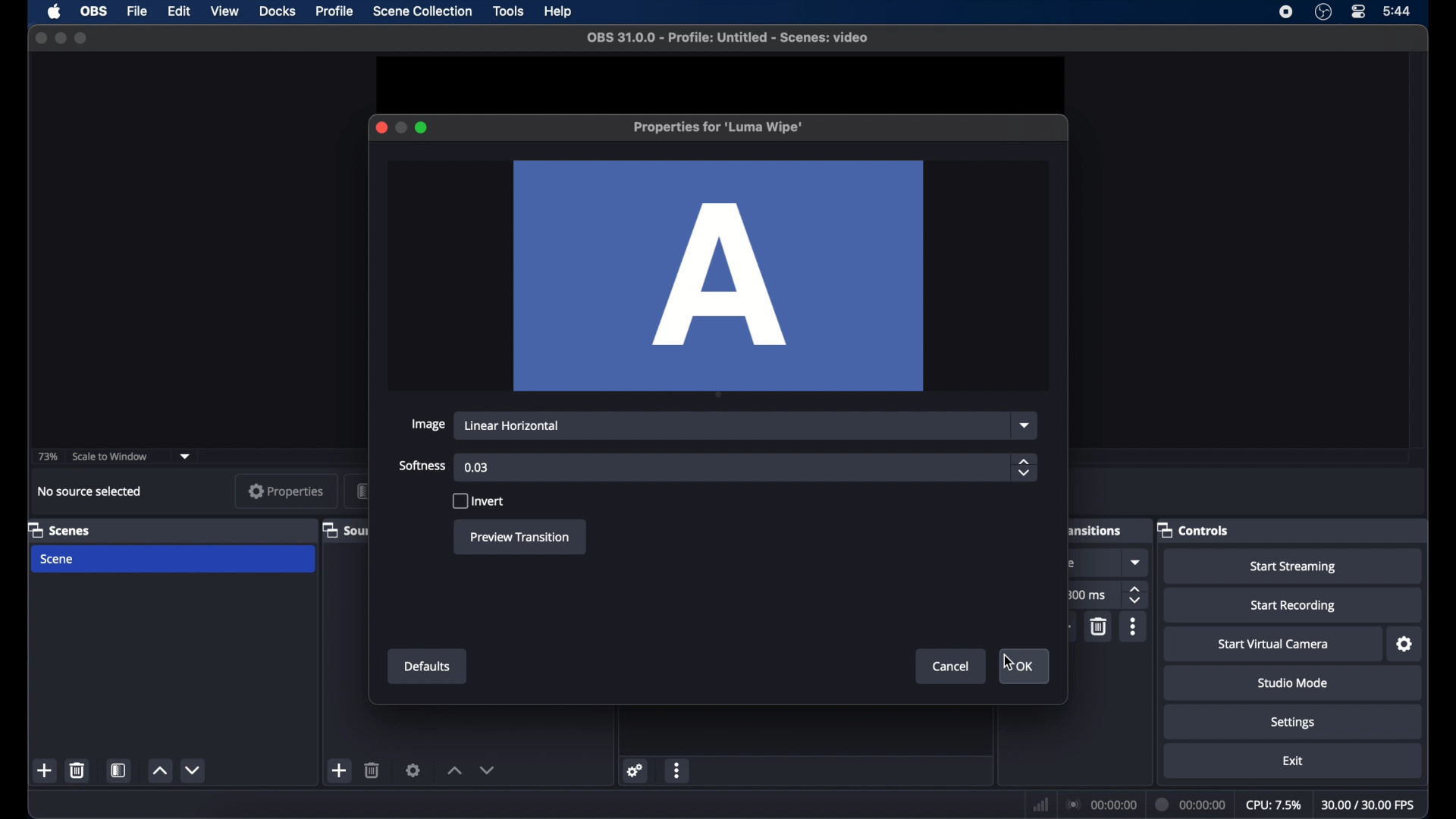  What do you see at coordinates (423, 11) in the screenshot?
I see `scene collection` at bounding box center [423, 11].